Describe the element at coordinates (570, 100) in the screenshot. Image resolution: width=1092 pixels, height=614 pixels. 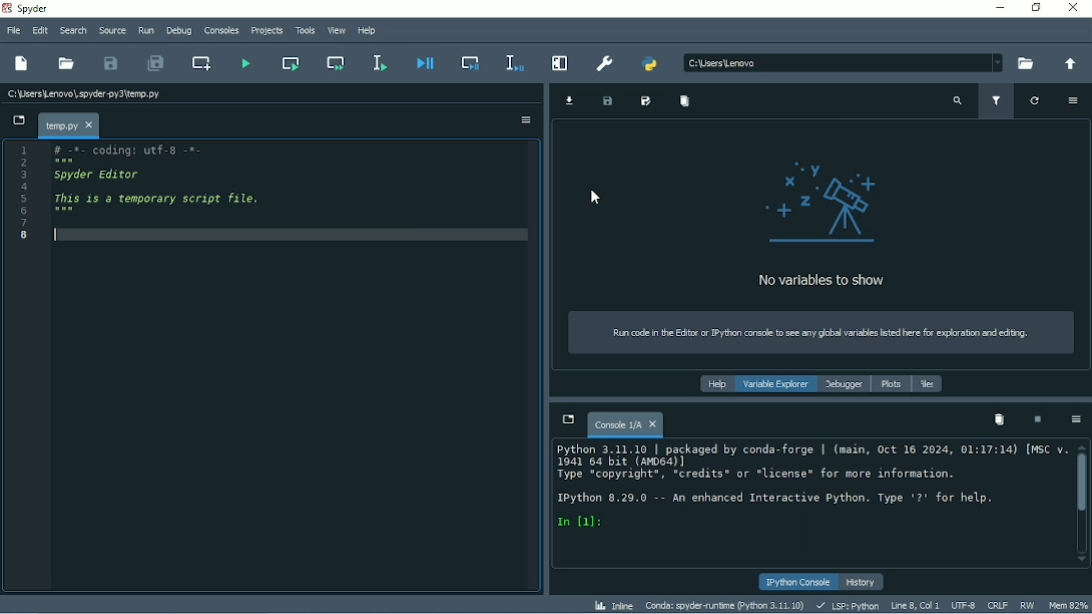
I see `Import data` at that location.